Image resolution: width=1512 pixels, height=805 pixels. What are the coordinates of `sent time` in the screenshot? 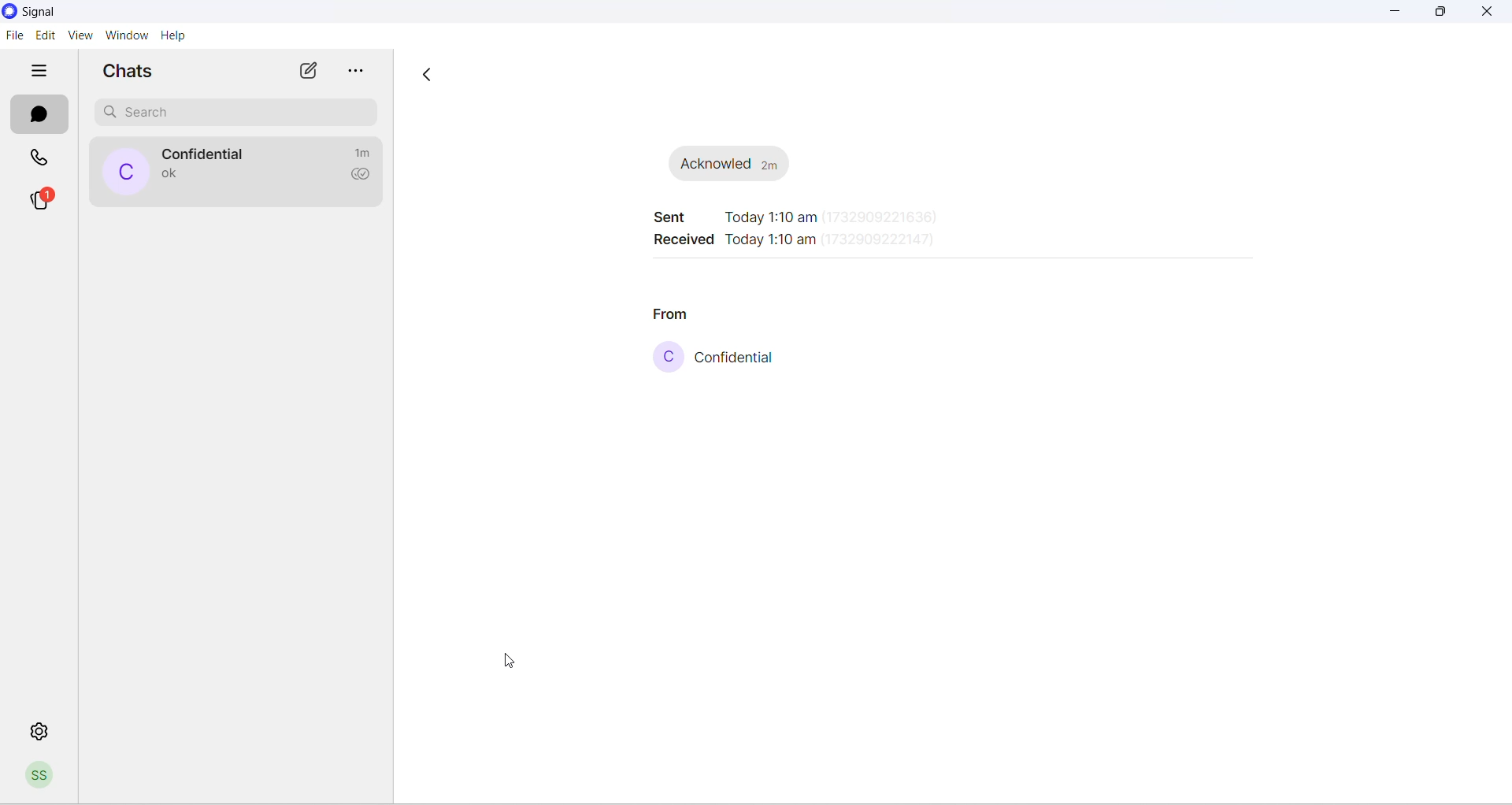 It's located at (782, 216).